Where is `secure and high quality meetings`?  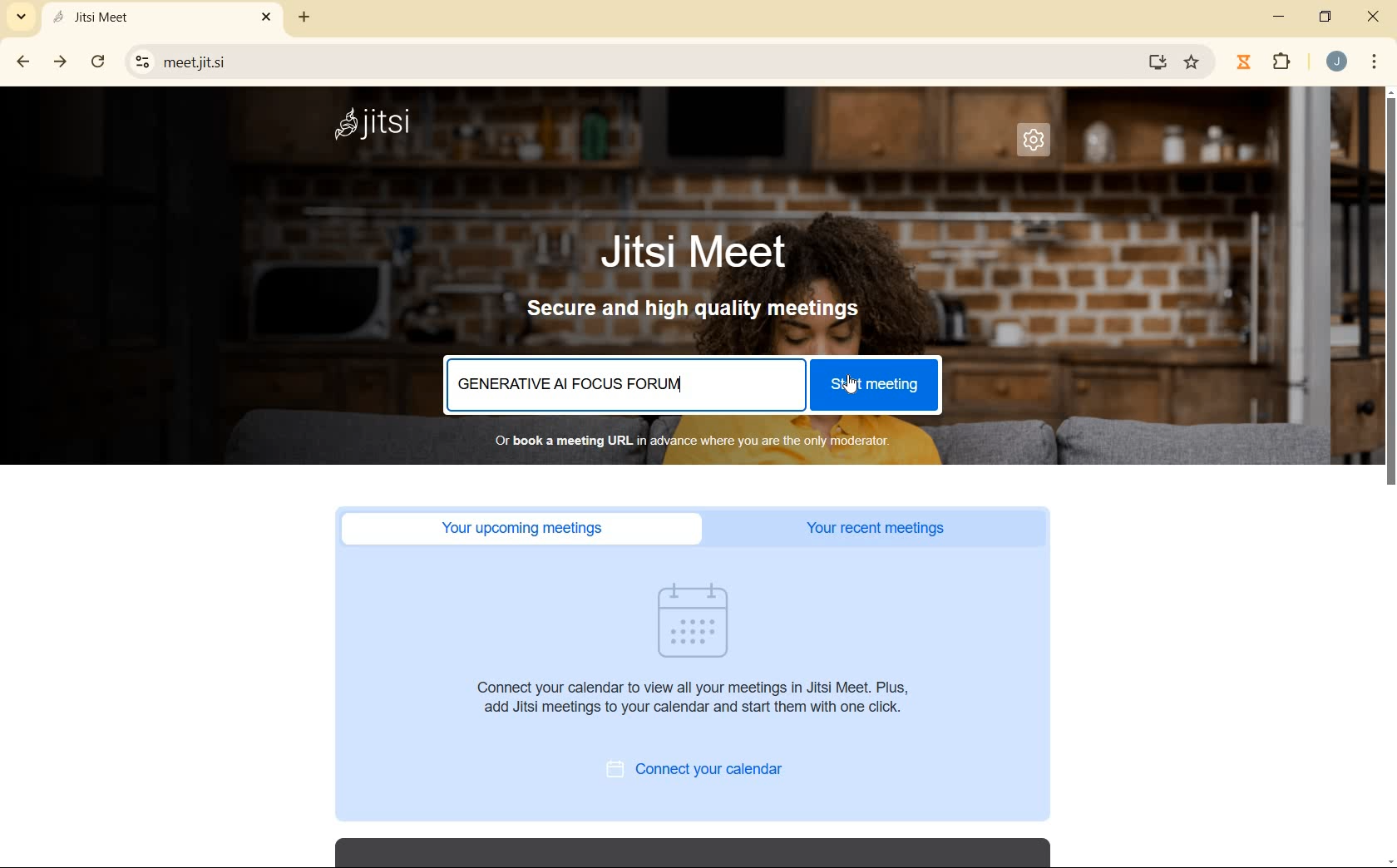 secure and high quality meetings is located at coordinates (701, 313).